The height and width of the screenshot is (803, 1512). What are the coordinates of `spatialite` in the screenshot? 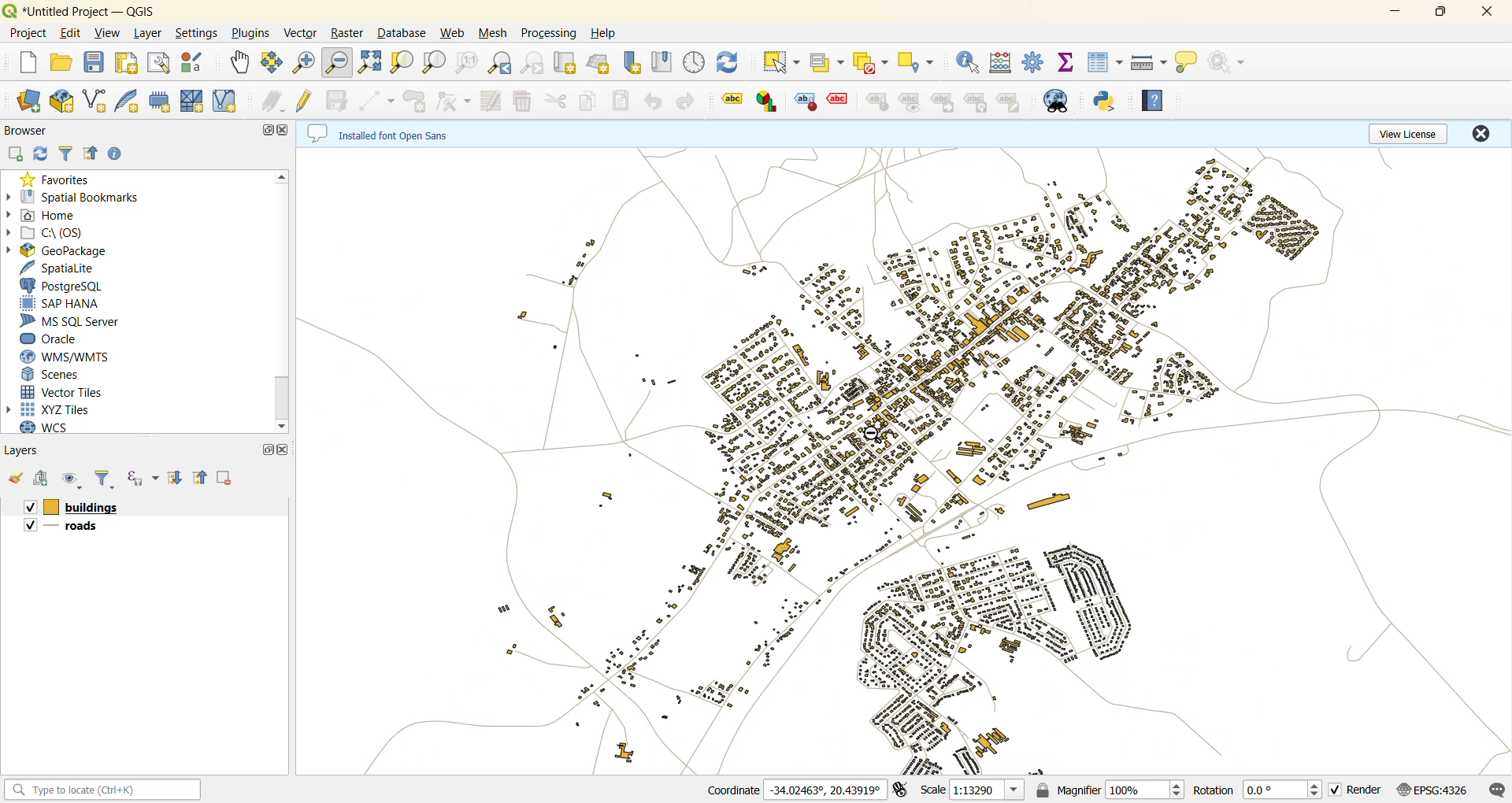 It's located at (64, 267).